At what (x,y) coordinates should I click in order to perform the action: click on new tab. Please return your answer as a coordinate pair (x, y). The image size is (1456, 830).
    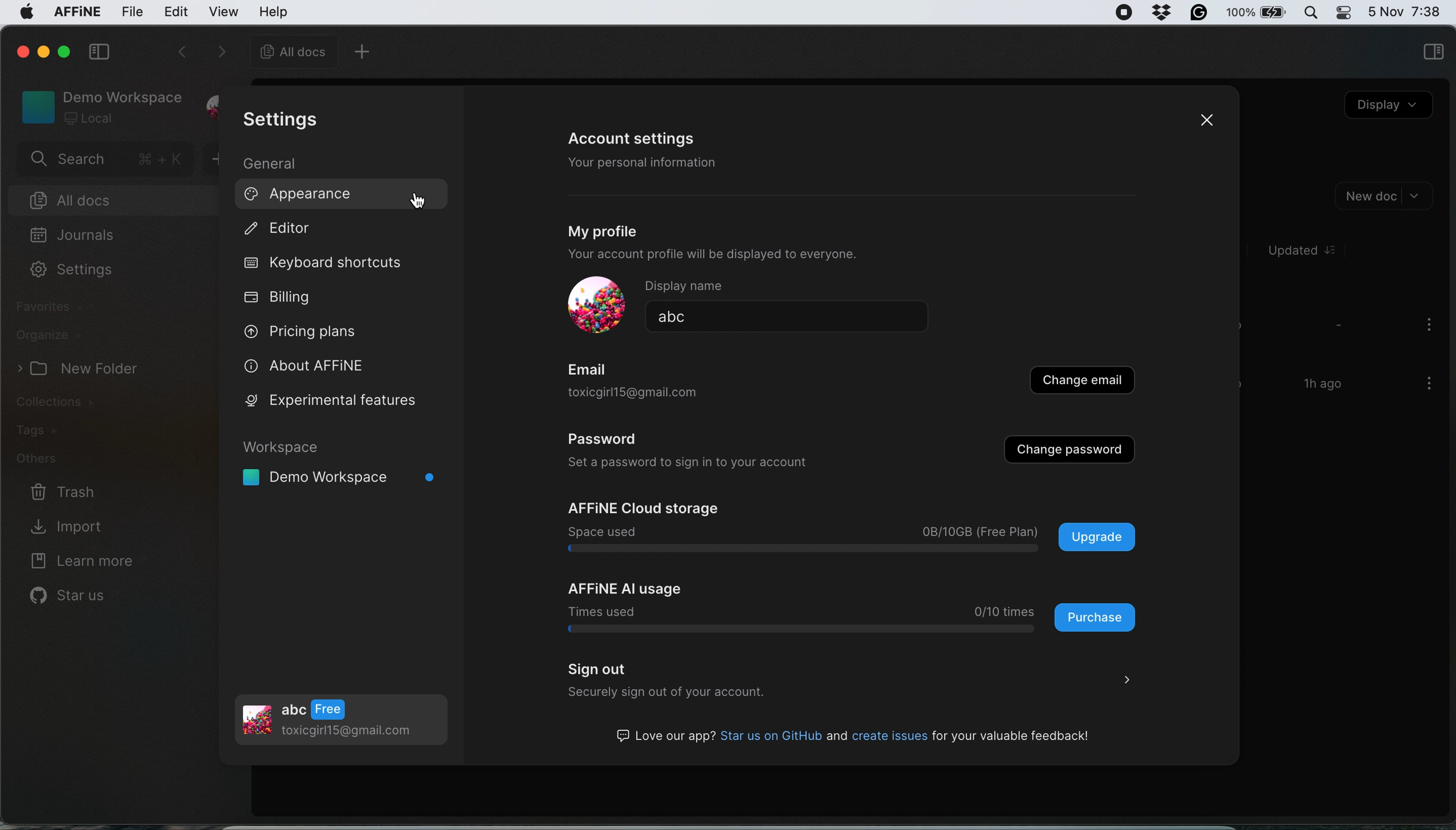
    Looking at the image, I should click on (365, 51).